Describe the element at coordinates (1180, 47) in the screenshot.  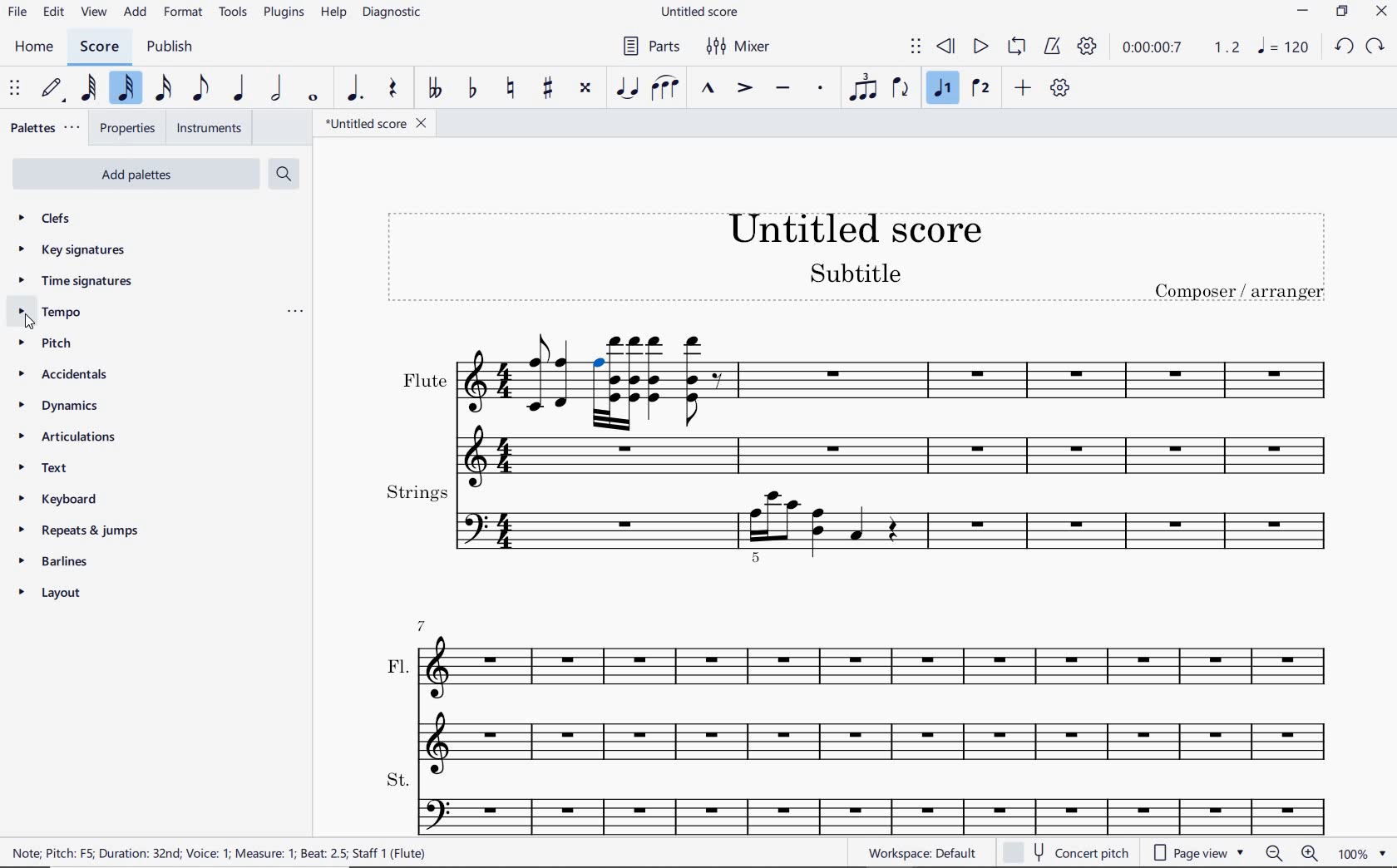
I see `PLAY TIME` at that location.